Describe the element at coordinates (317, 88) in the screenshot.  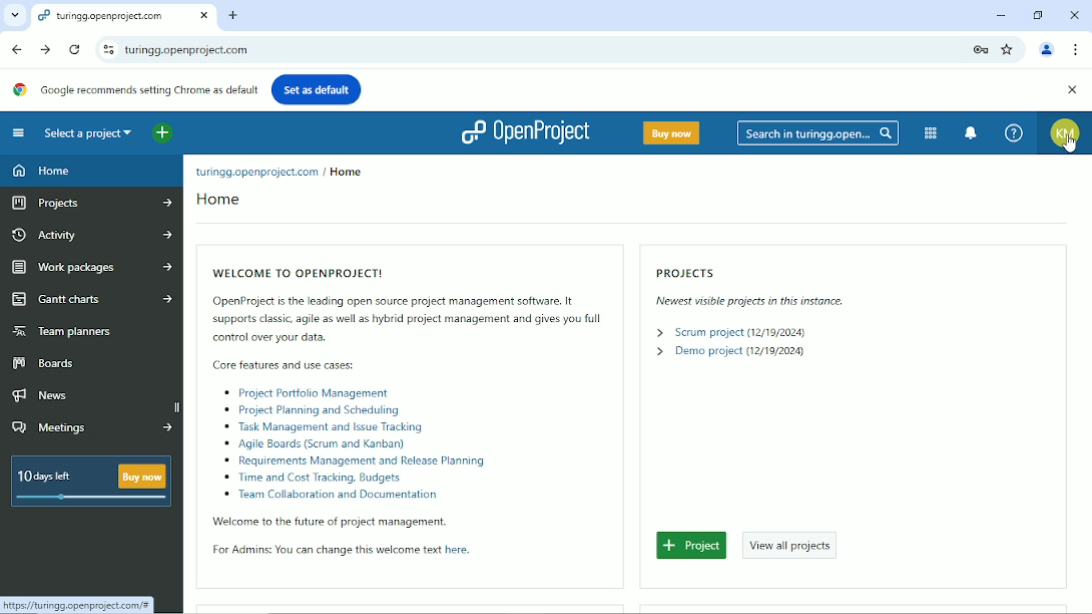
I see `Set as default ` at that location.